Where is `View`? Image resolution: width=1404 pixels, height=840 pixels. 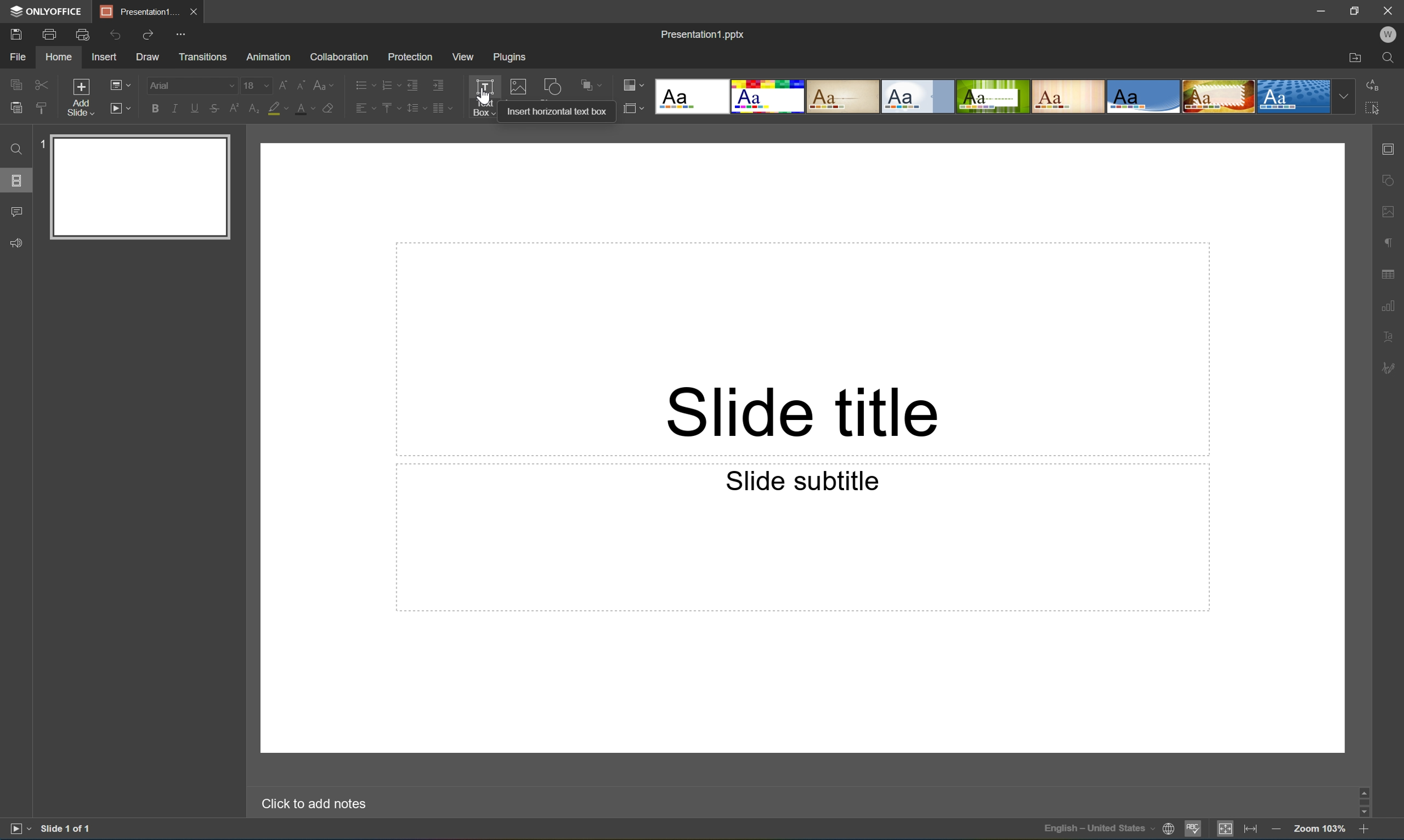
View is located at coordinates (464, 57).